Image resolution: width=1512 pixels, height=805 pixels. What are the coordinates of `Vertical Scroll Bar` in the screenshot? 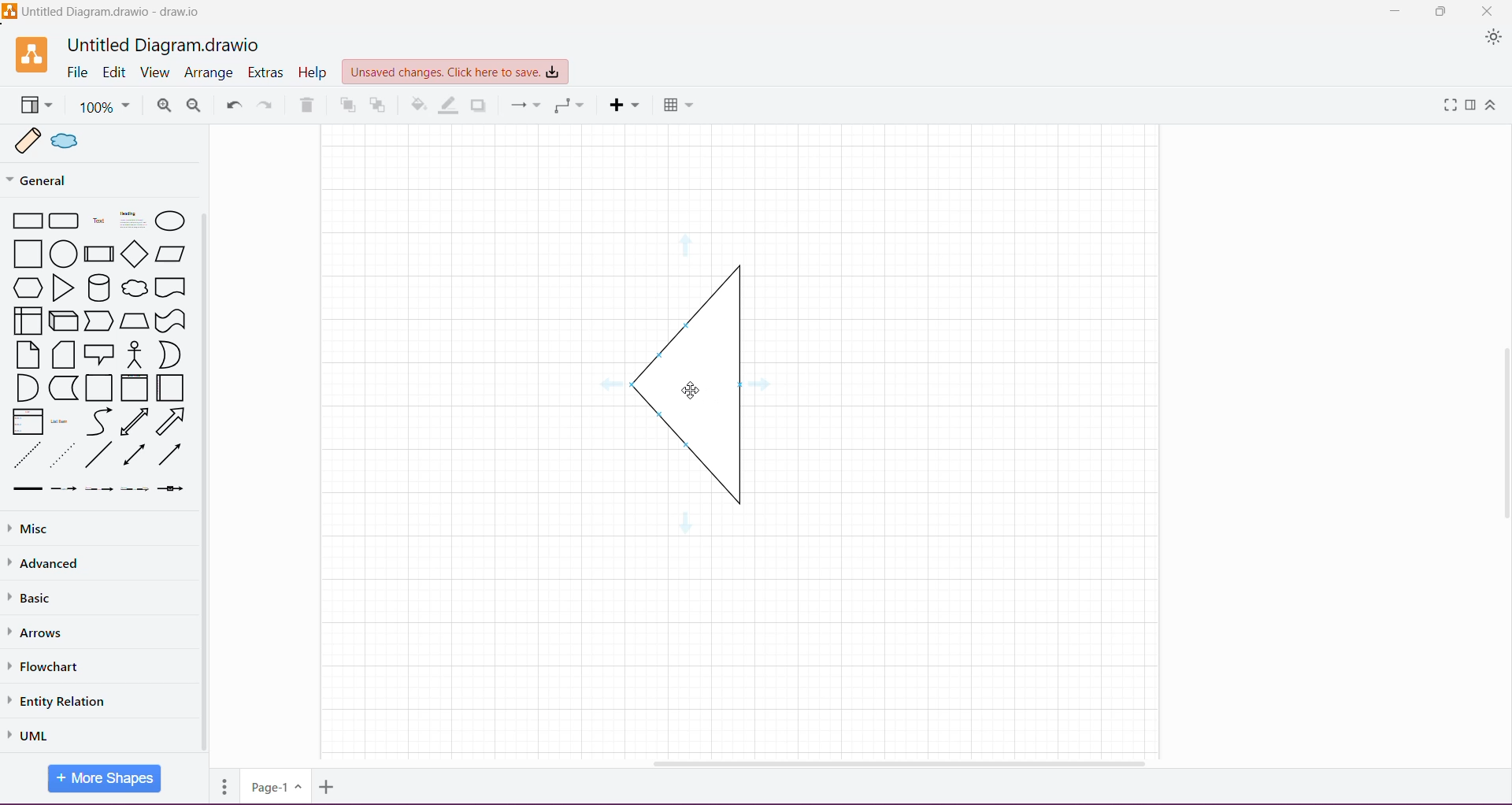 It's located at (1503, 417).